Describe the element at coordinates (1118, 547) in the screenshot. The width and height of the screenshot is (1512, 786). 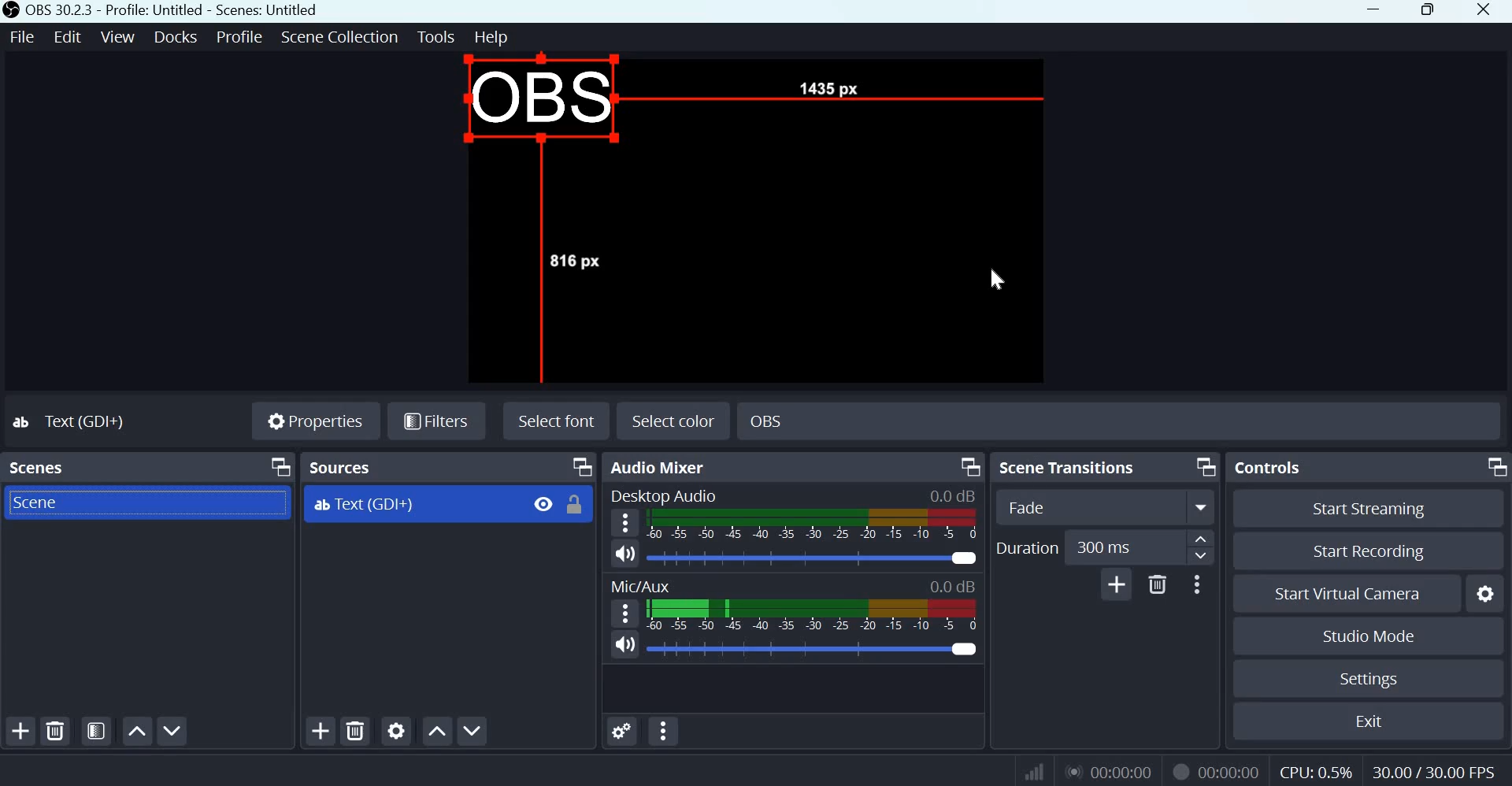
I see `300 ms` at that location.